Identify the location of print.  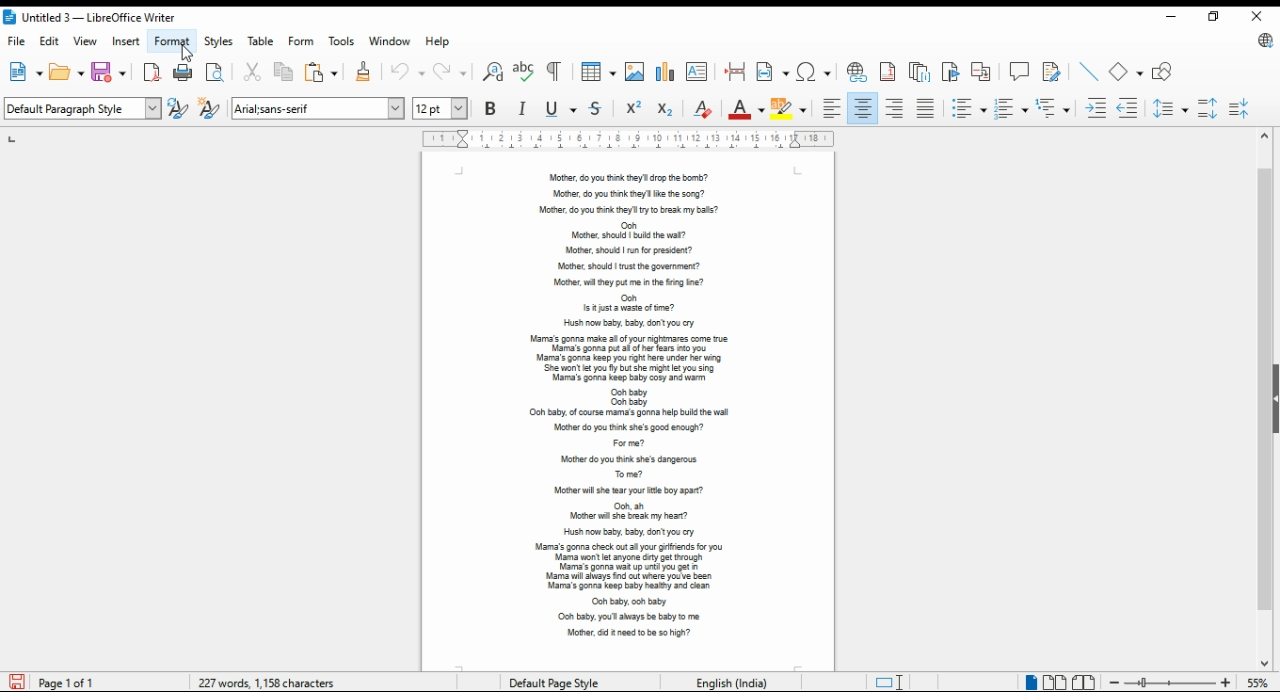
(185, 72).